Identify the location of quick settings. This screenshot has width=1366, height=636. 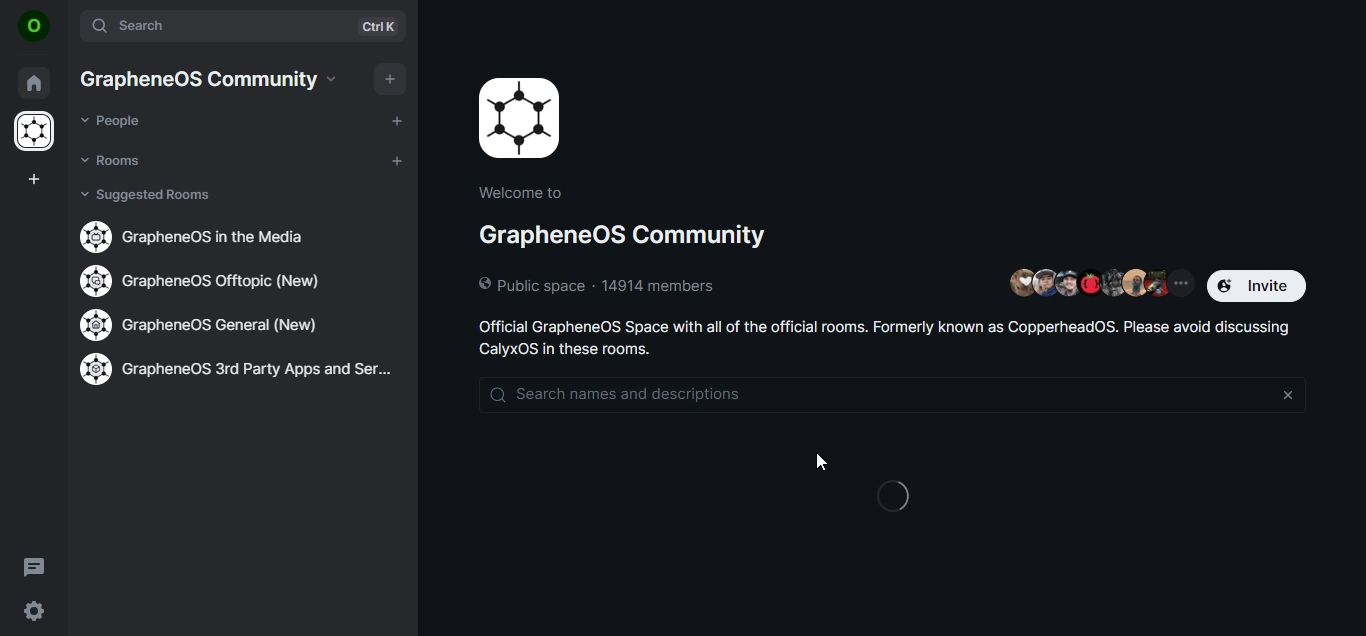
(34, 611).